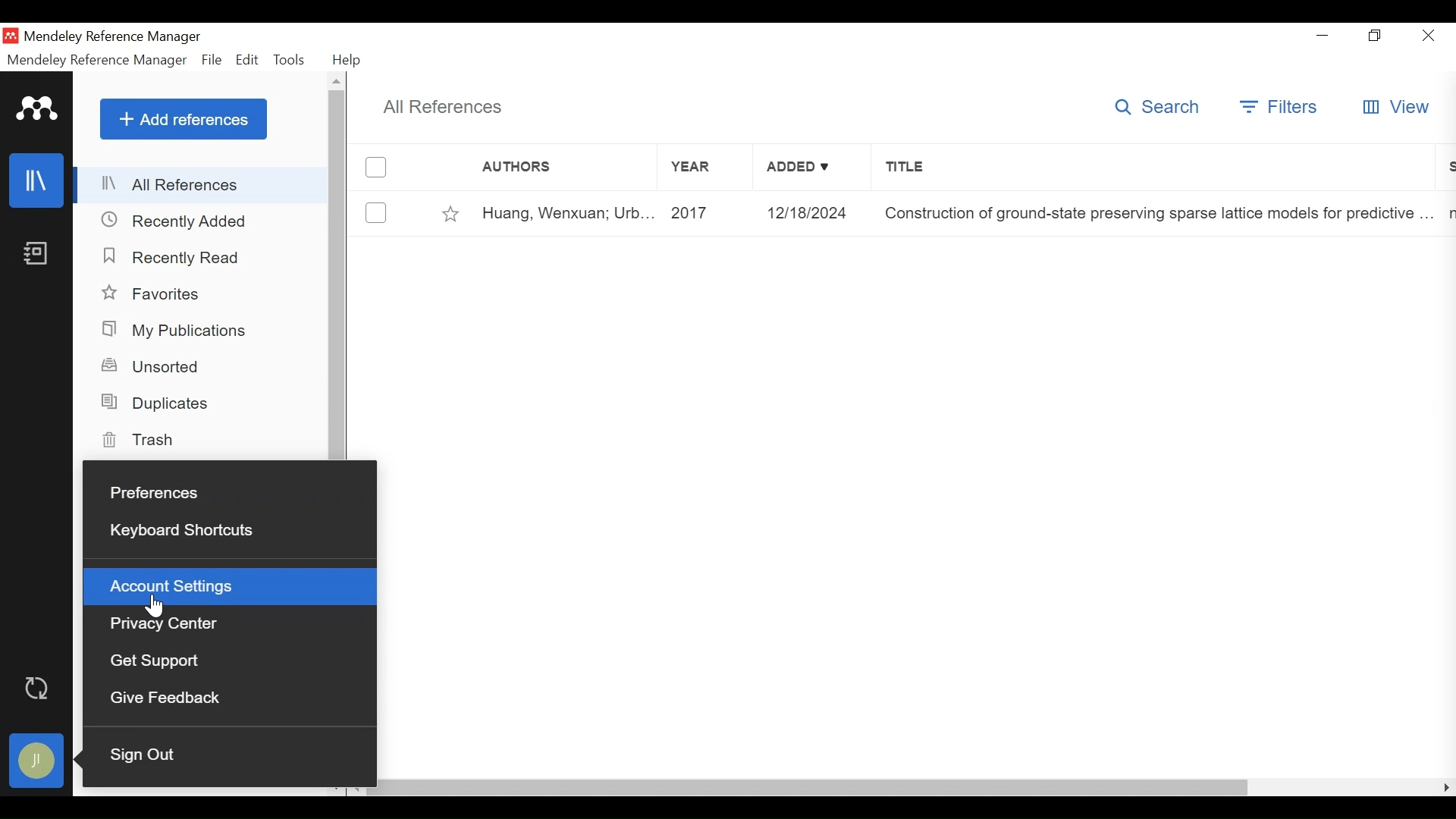 This screenshot has height=819, width=1456. What do you see at coordinates (377, 213) in the screenshot?
I see `(un)select` at bounding box center [377, 213].